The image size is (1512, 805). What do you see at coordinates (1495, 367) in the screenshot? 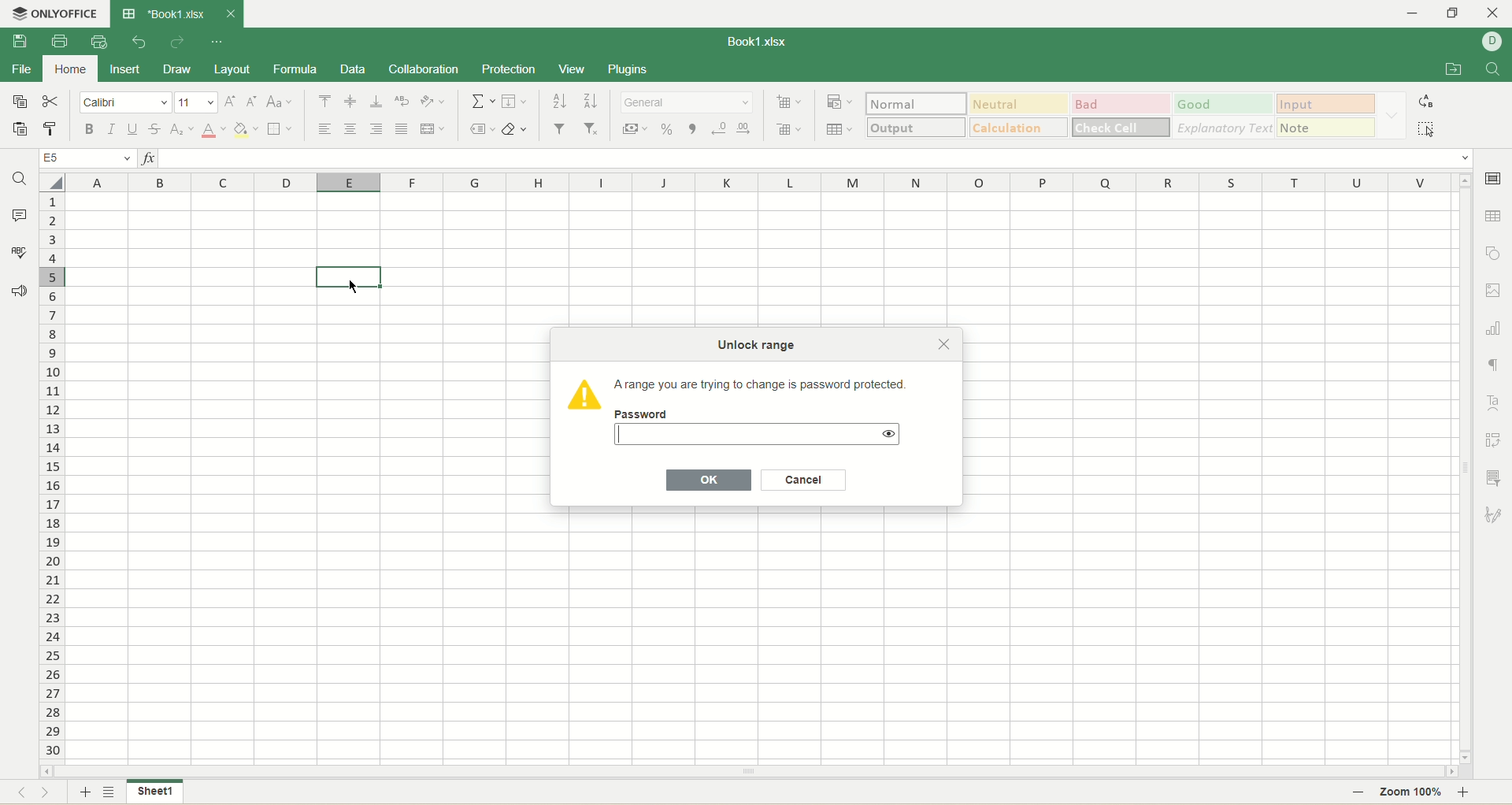
I see `paragraph settings` at bounding box center [1495, 367].